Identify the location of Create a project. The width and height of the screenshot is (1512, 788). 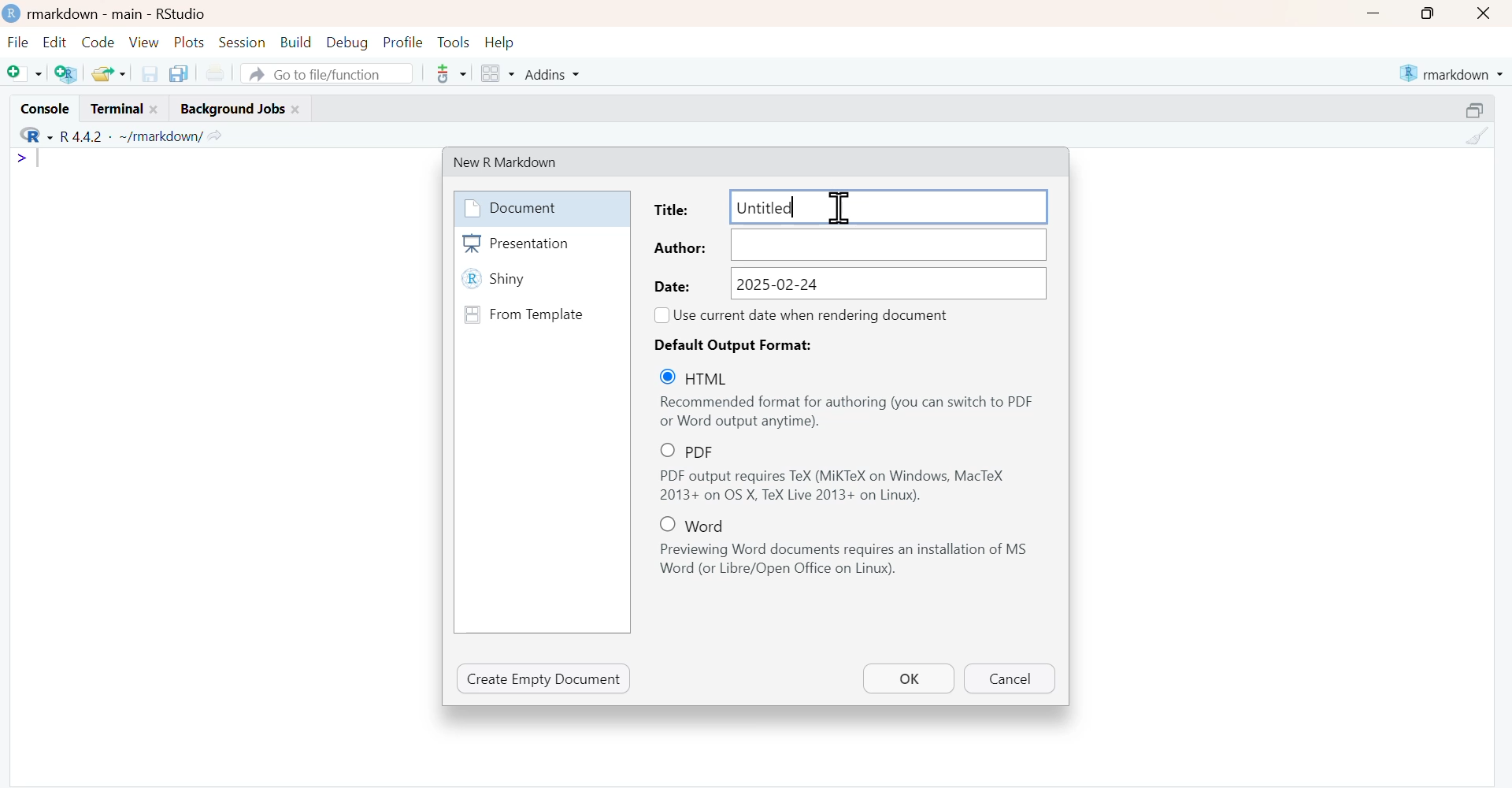
(66, 72).